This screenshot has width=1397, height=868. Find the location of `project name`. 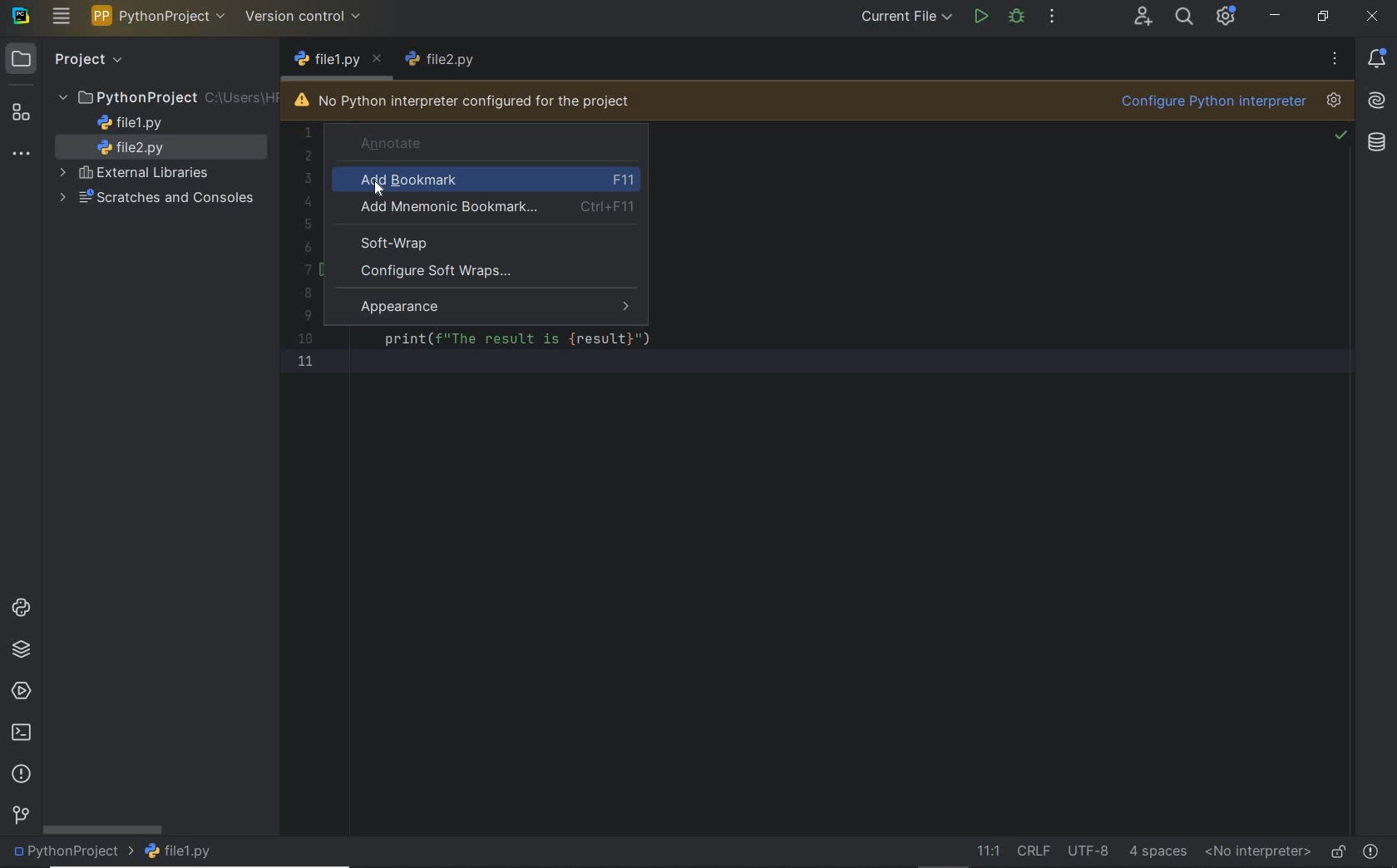

project name is located at coordinates (71, 854).